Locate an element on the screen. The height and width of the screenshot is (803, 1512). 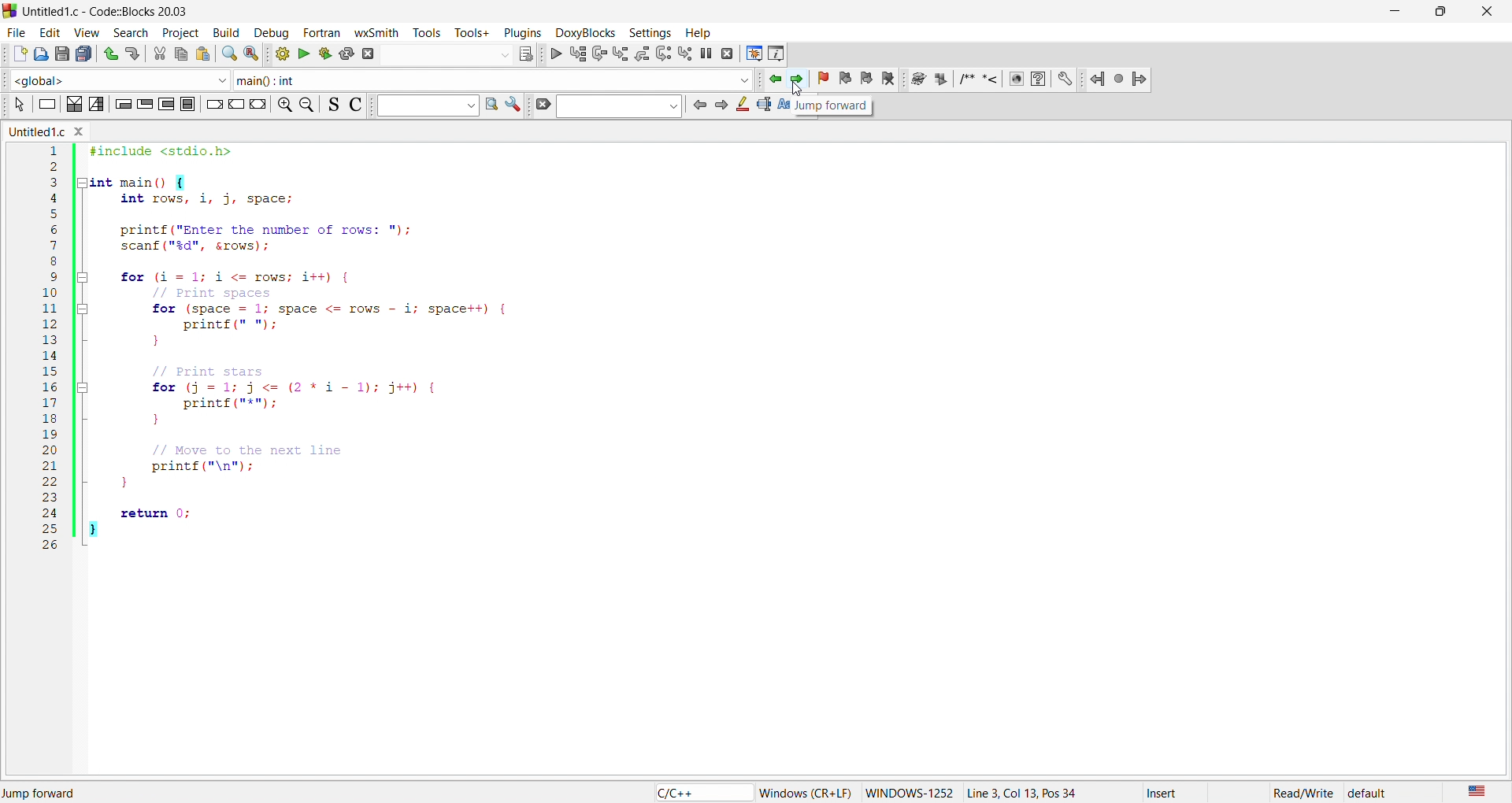
settings is located at coordinates (514, 105).